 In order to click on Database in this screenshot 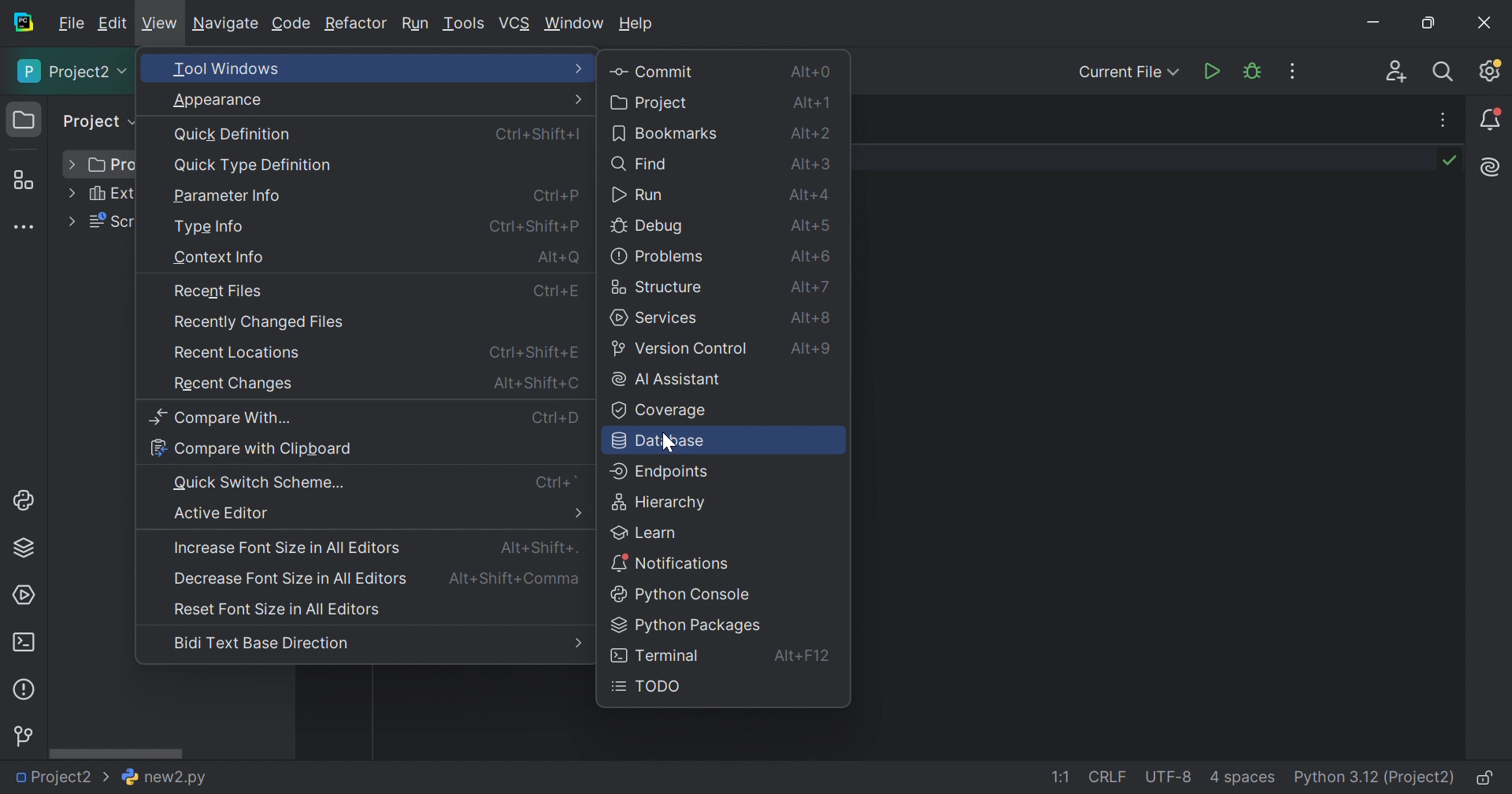, I will do `click(664, 443)`.